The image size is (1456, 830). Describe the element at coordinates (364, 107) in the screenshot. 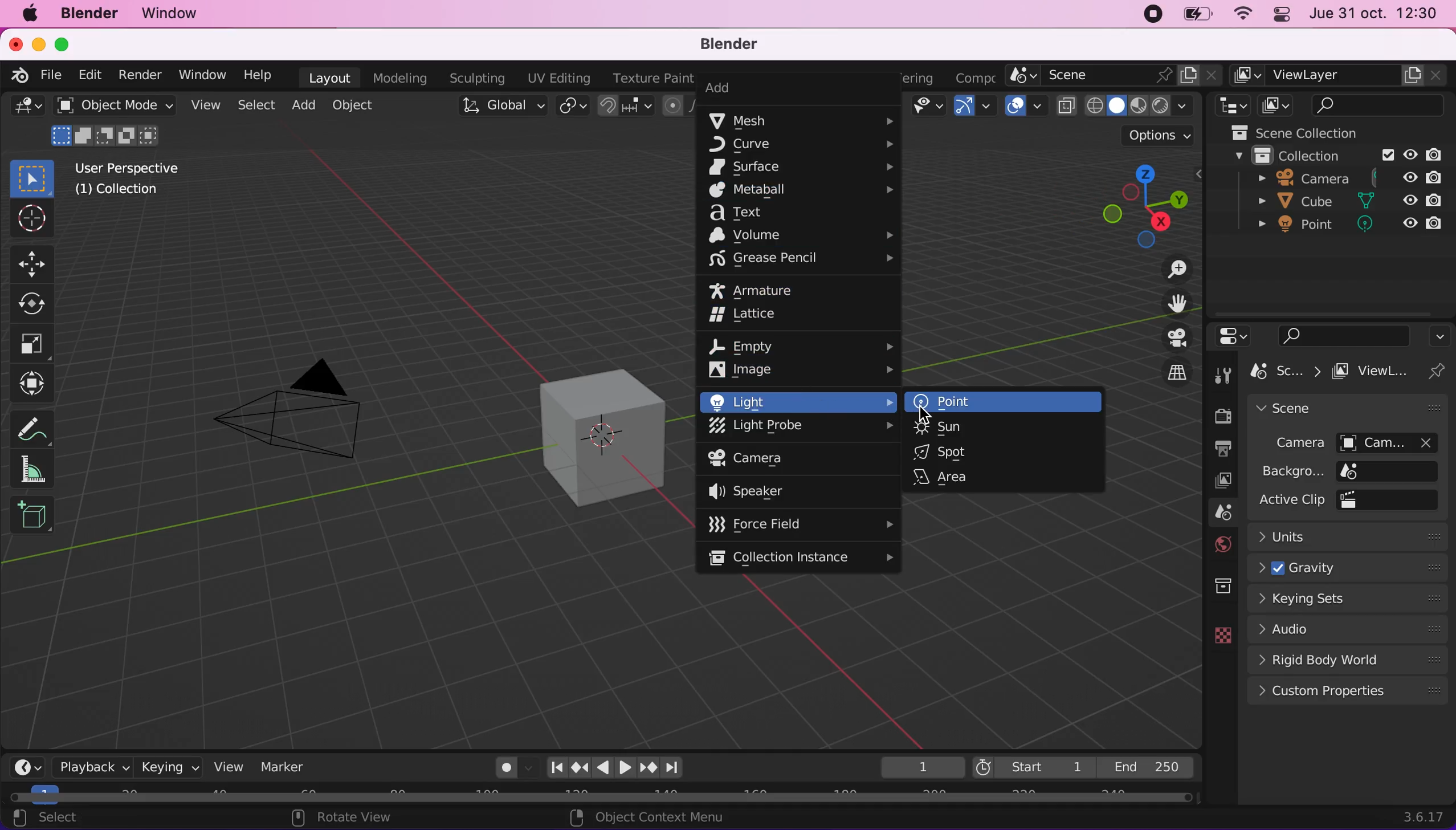

I see `object` at that location.